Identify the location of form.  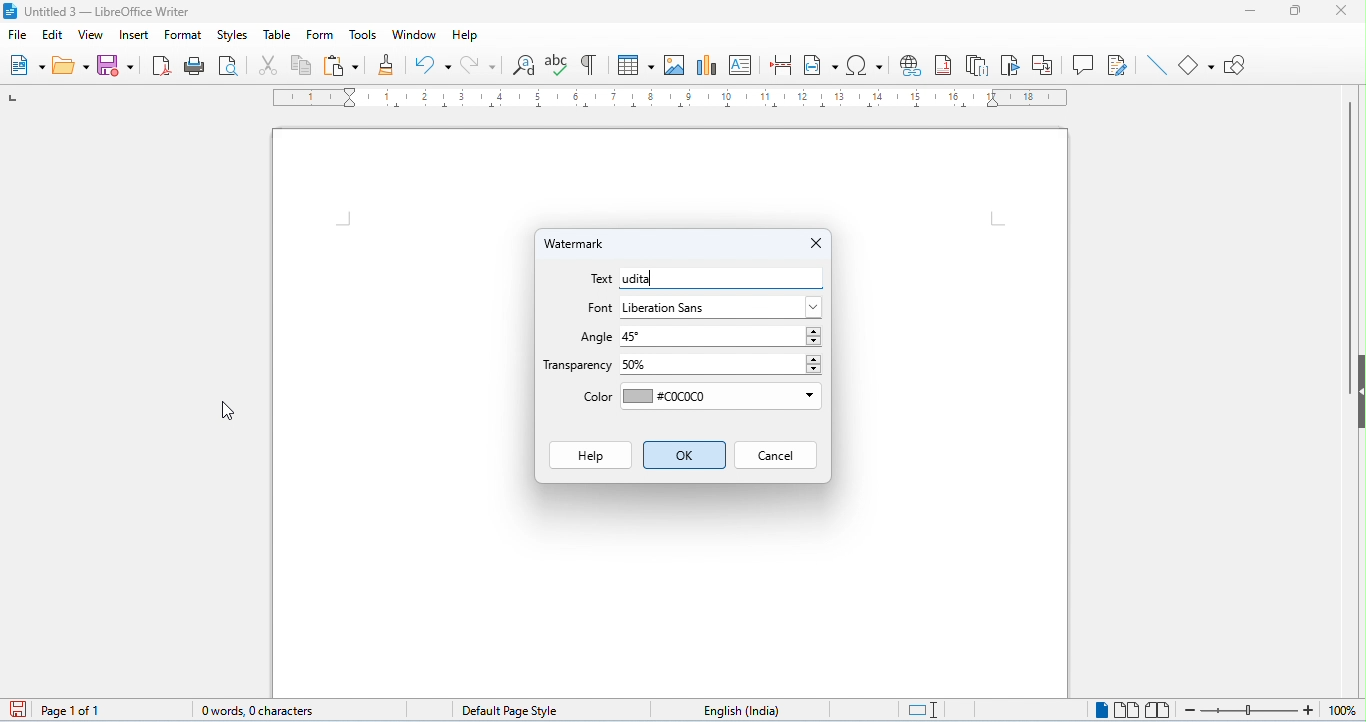
(320, 36).